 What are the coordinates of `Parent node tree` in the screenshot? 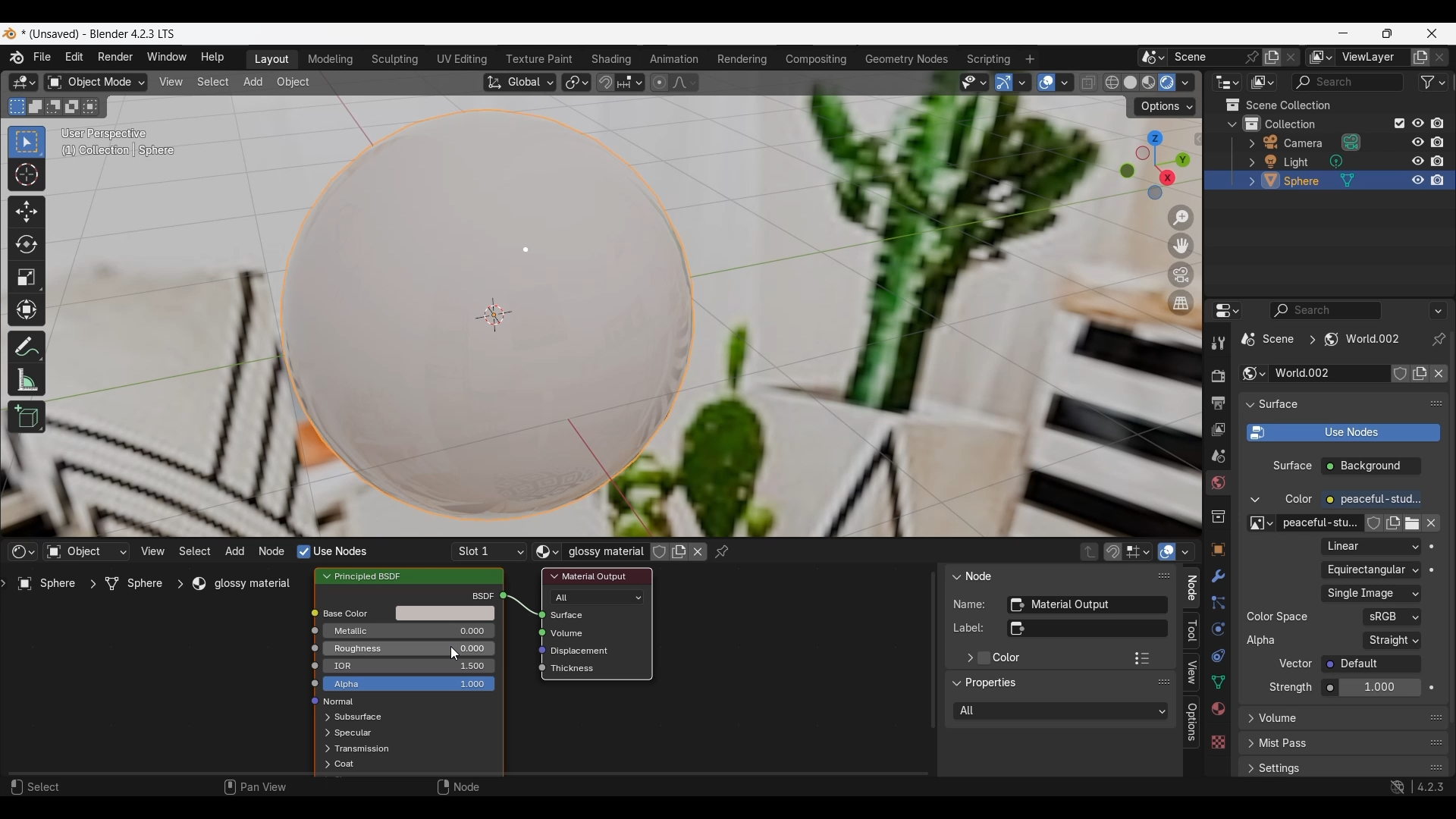 It's located at (1090, 551).